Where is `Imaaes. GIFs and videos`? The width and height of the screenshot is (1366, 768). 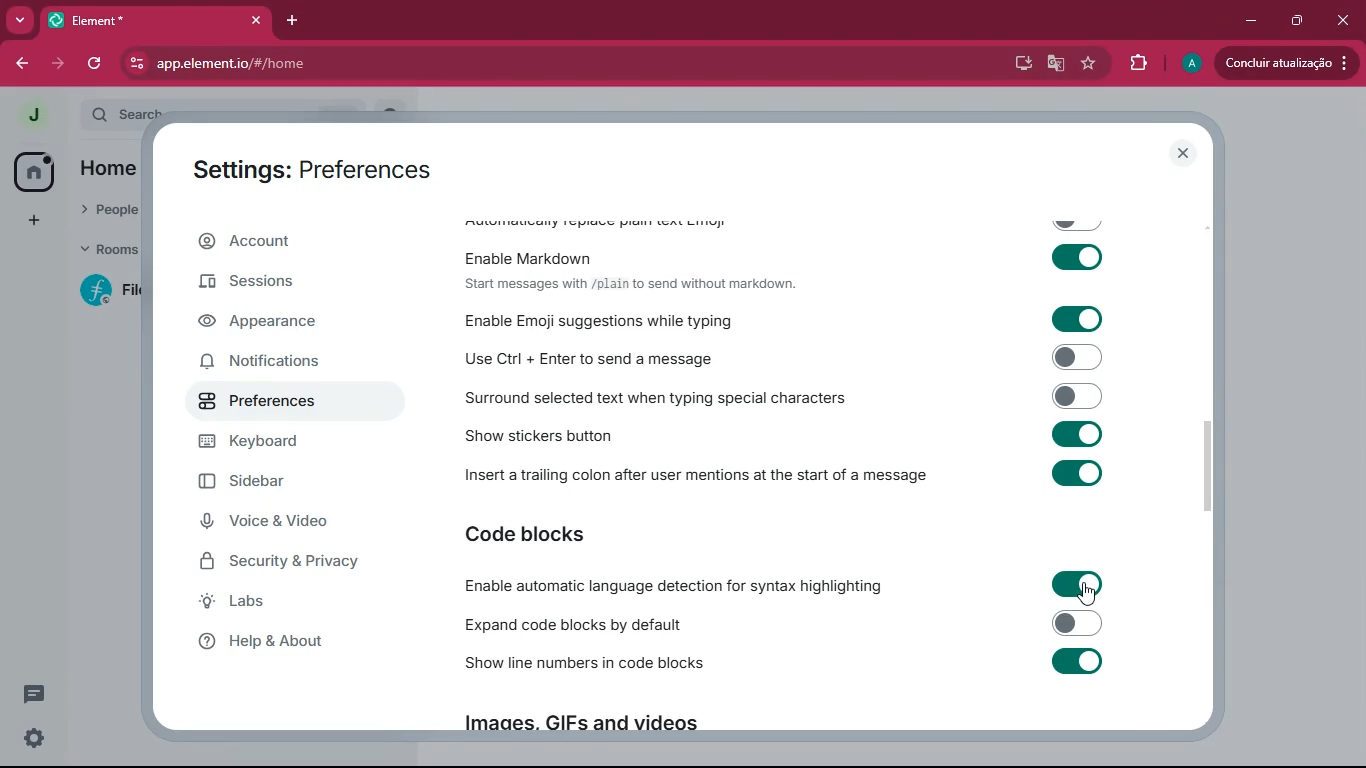 Imaaes. GIFs and videos is located at coordinates (578, 727).